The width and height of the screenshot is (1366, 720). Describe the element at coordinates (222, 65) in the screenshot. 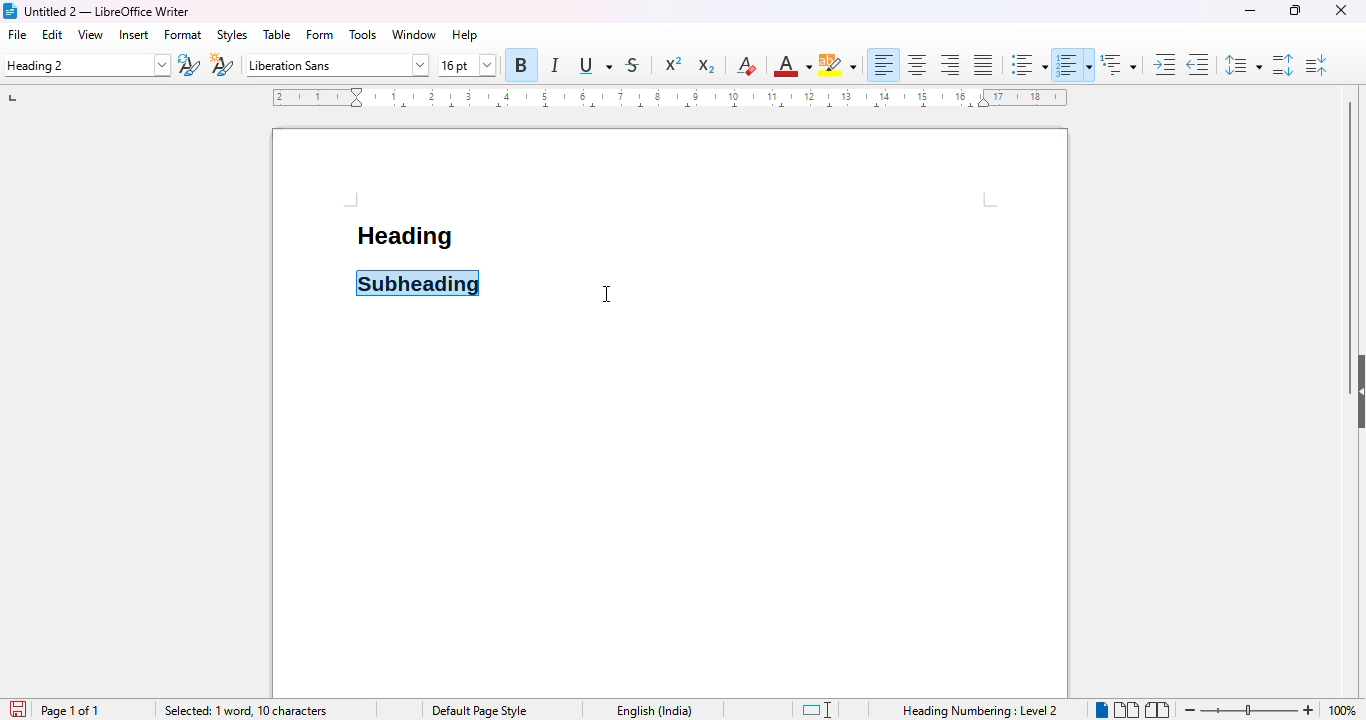

I see `new style from selection` at that location.